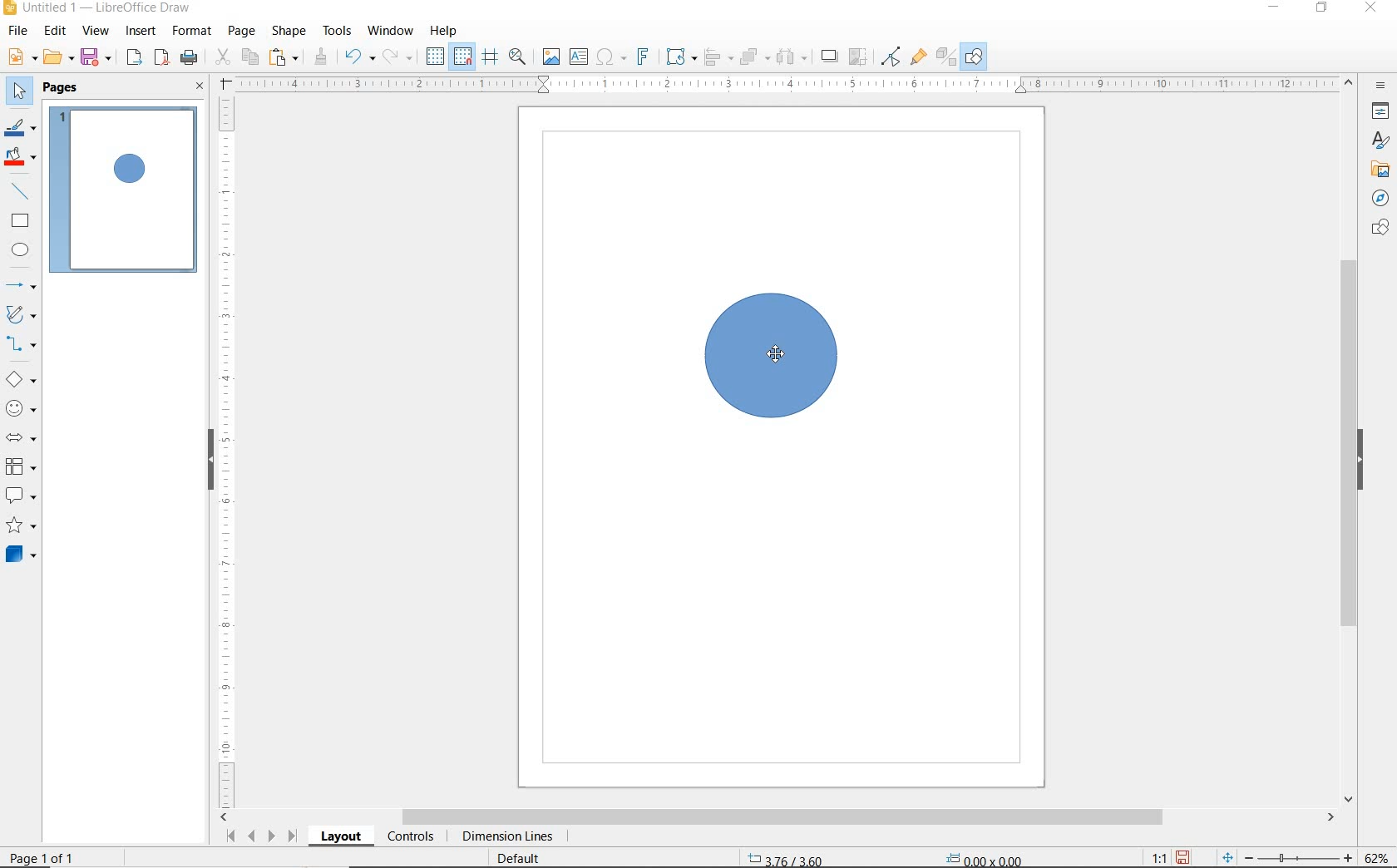 This screenshot has height=868, width=1397. Describe the element at coordinates (141, 32) in the screenshot. I see `INSERT` at that location.